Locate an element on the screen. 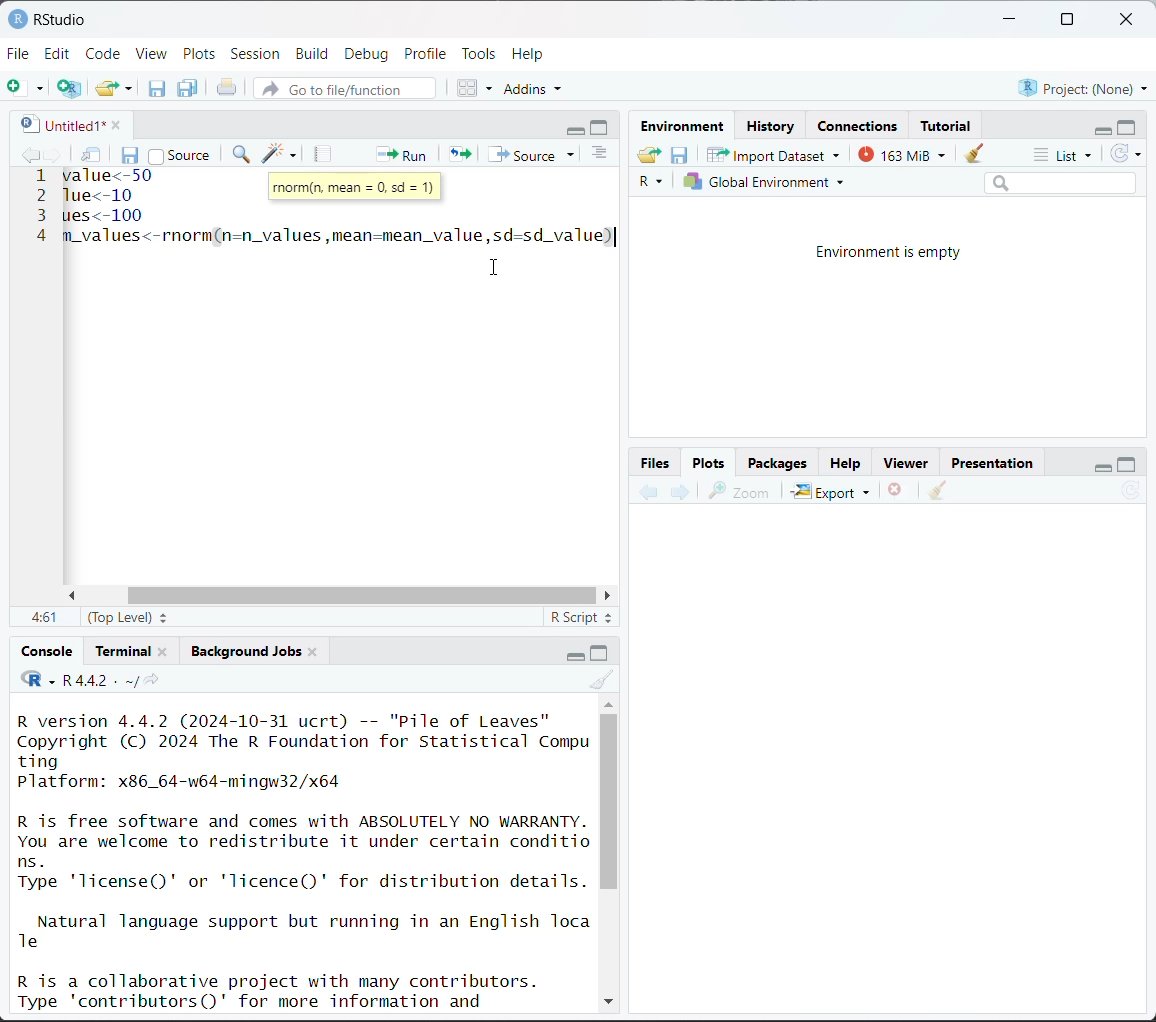 This screenshot has height=1022, width=1156. Background jobs is located at coordinates (246, 651).